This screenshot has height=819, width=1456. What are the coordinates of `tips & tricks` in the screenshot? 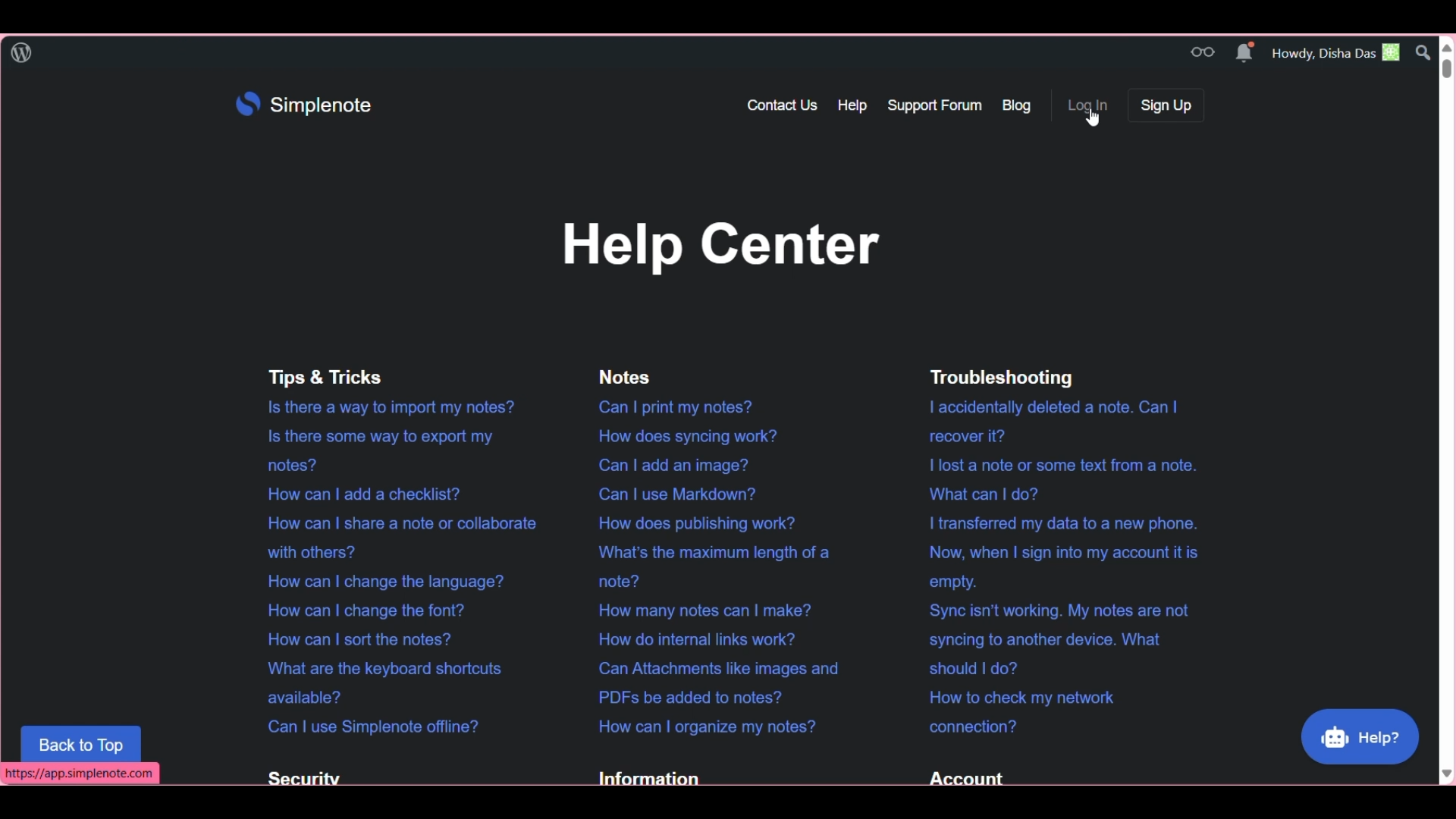 It's located at (332, 375).